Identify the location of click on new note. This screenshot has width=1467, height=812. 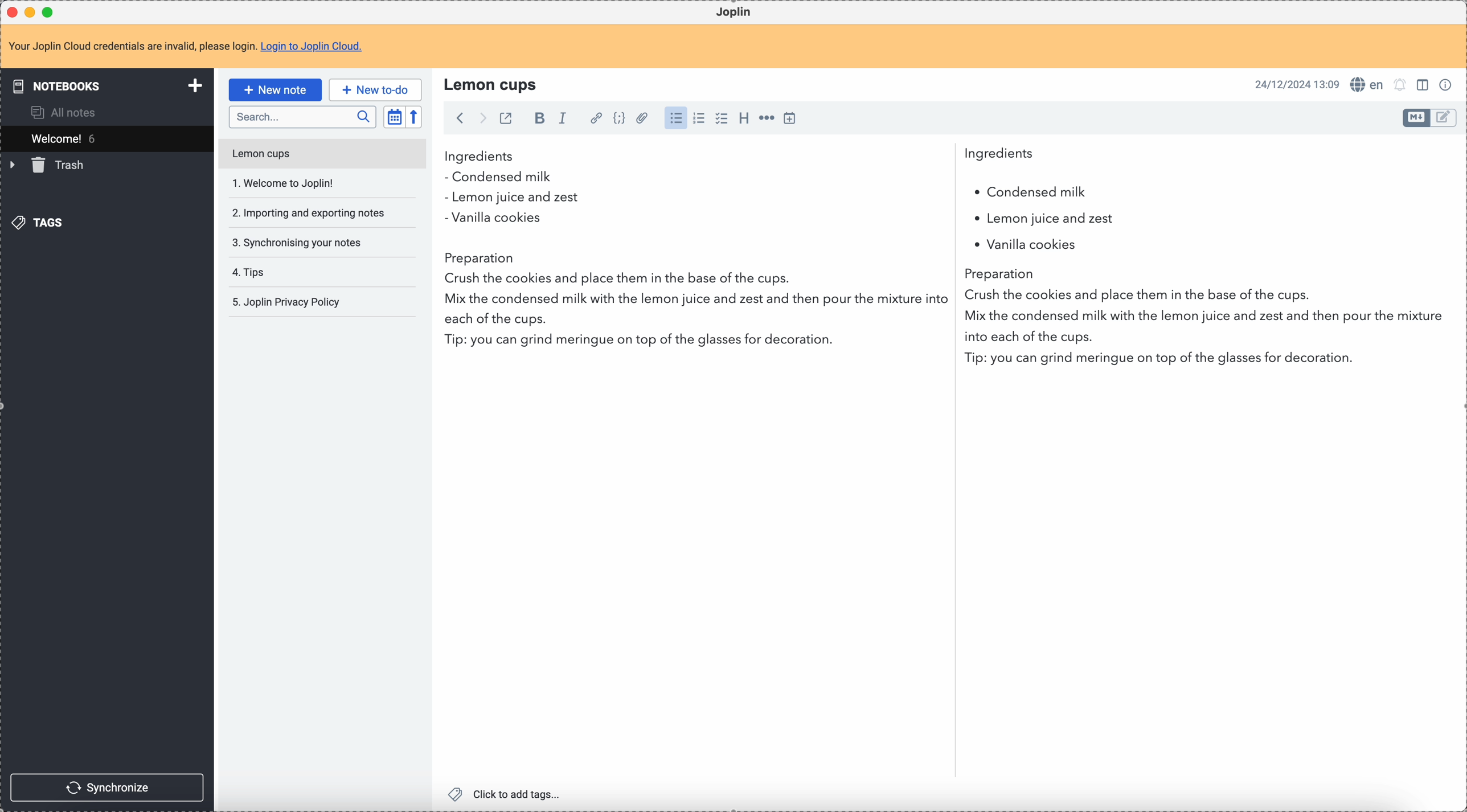
(274, 88).